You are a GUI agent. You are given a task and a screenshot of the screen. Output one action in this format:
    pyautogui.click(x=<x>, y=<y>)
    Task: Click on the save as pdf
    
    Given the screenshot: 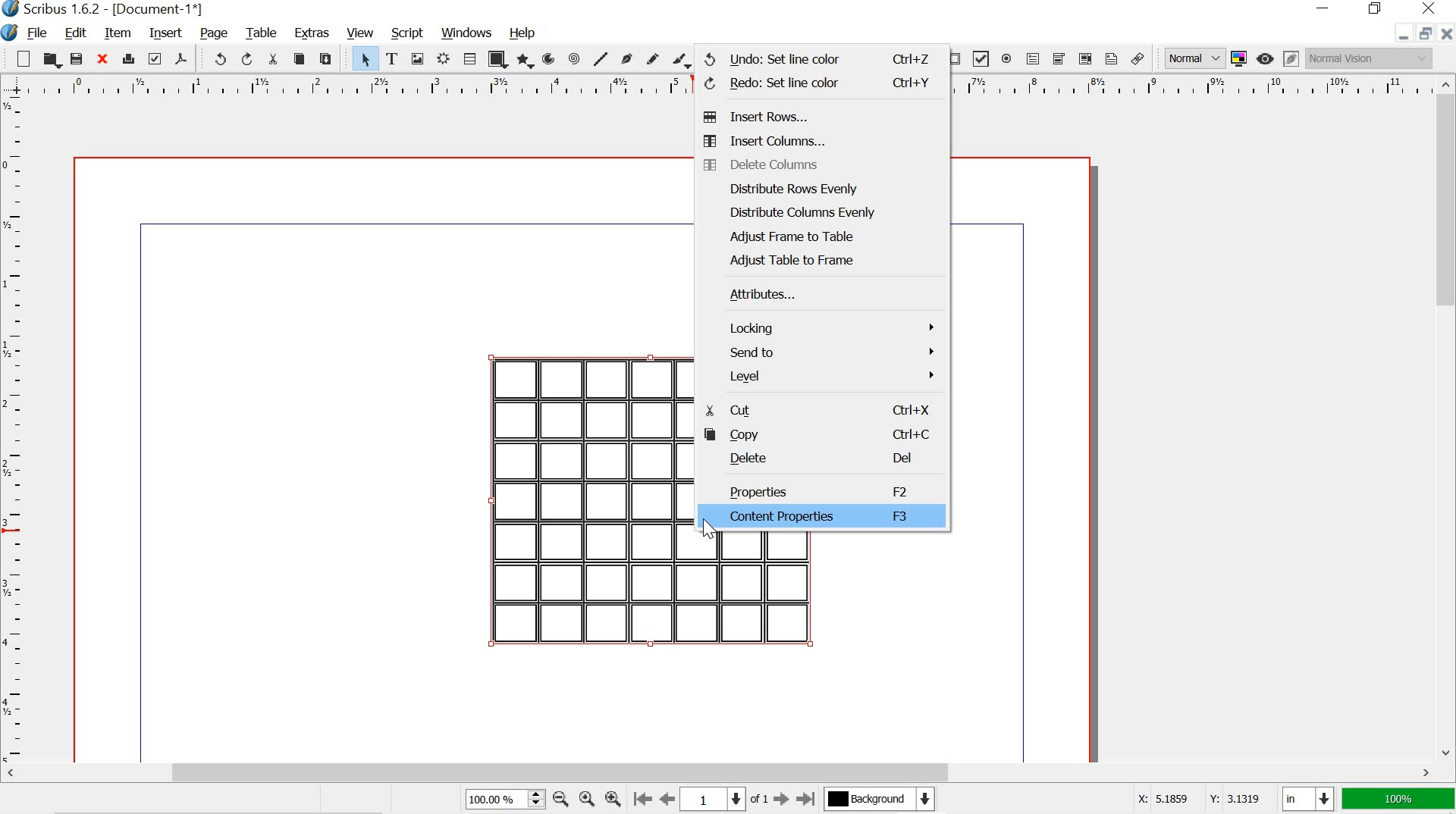 What is the action you would take?
    pyautogui.click(x=182, y=58)
    